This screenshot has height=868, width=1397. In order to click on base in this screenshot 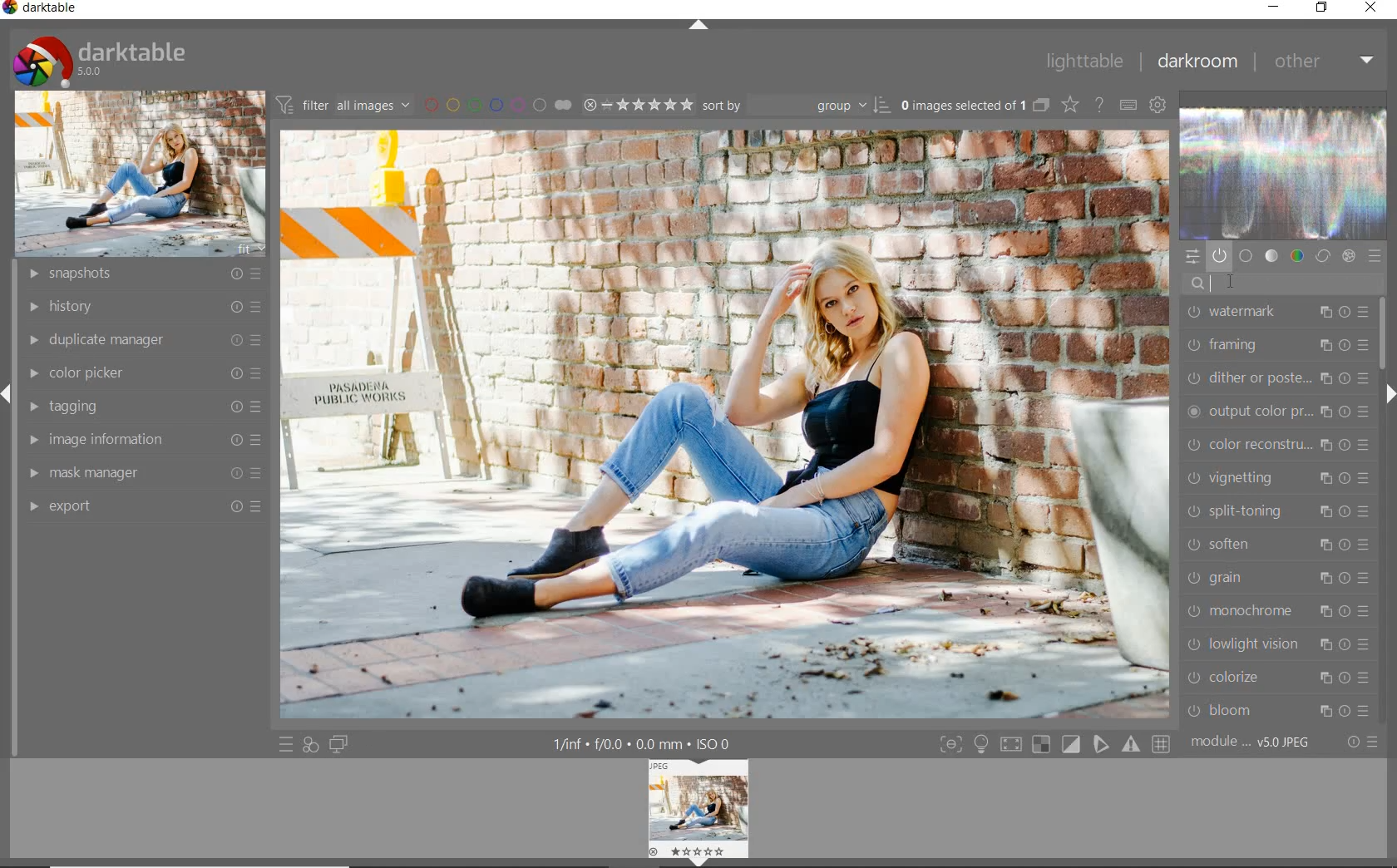, I will do `click(1247, 254)`.